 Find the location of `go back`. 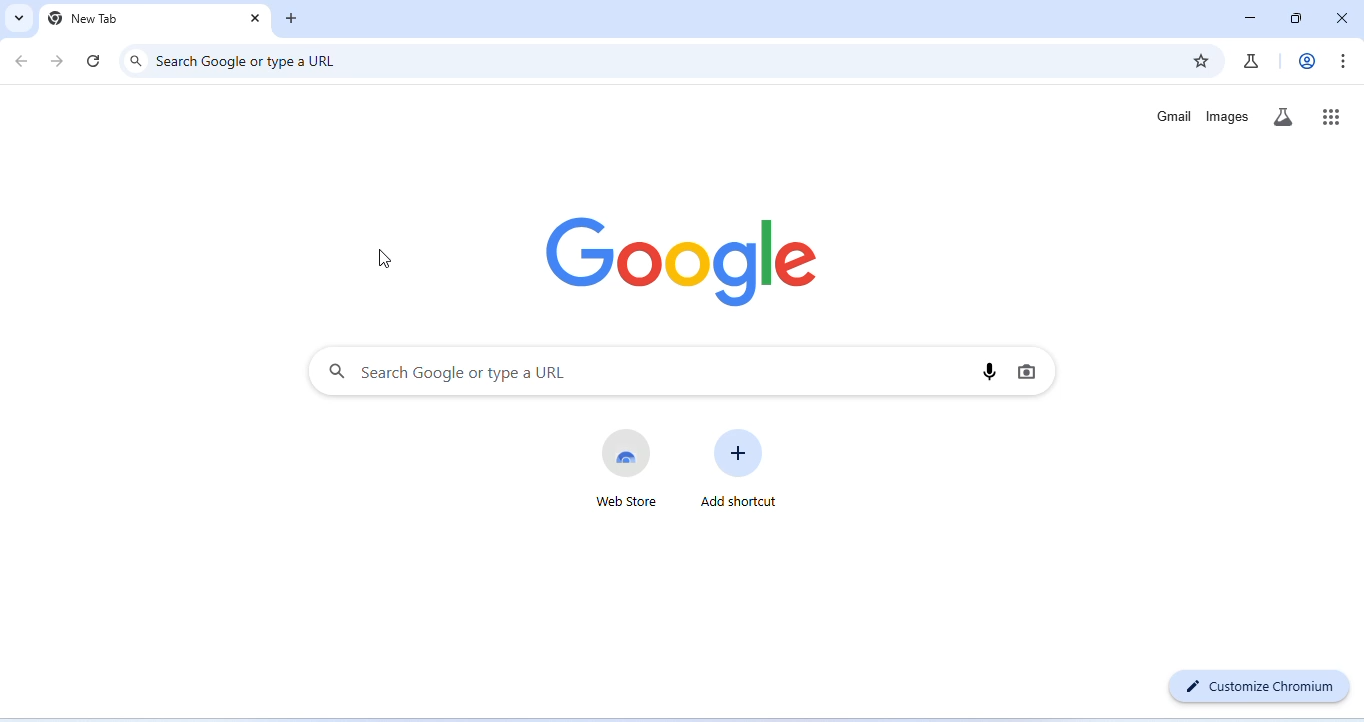

go back is located at coordinates (24, 60).